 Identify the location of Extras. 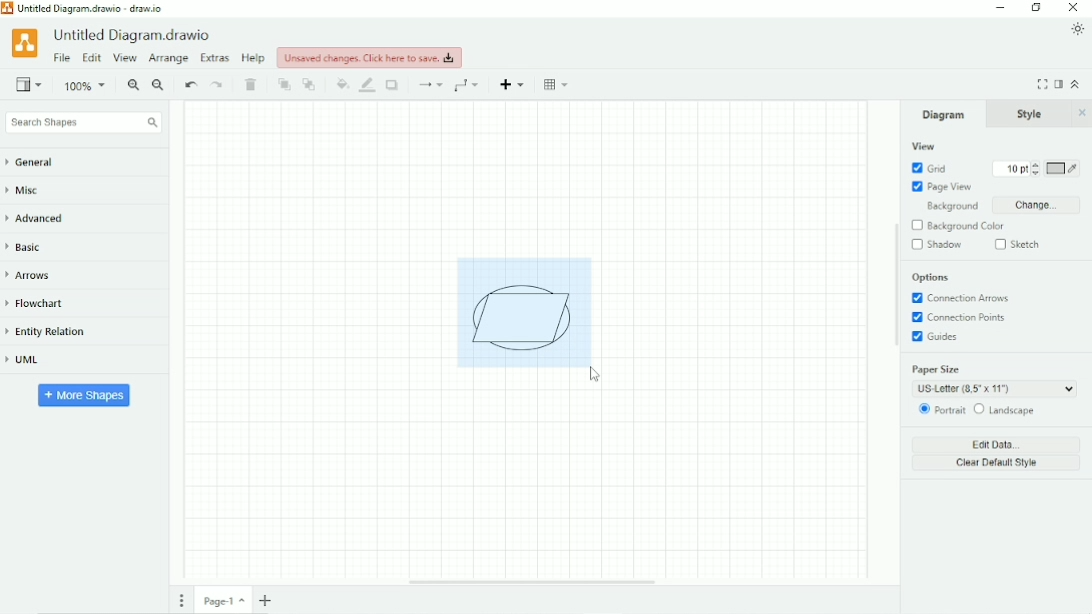
(215, 57).